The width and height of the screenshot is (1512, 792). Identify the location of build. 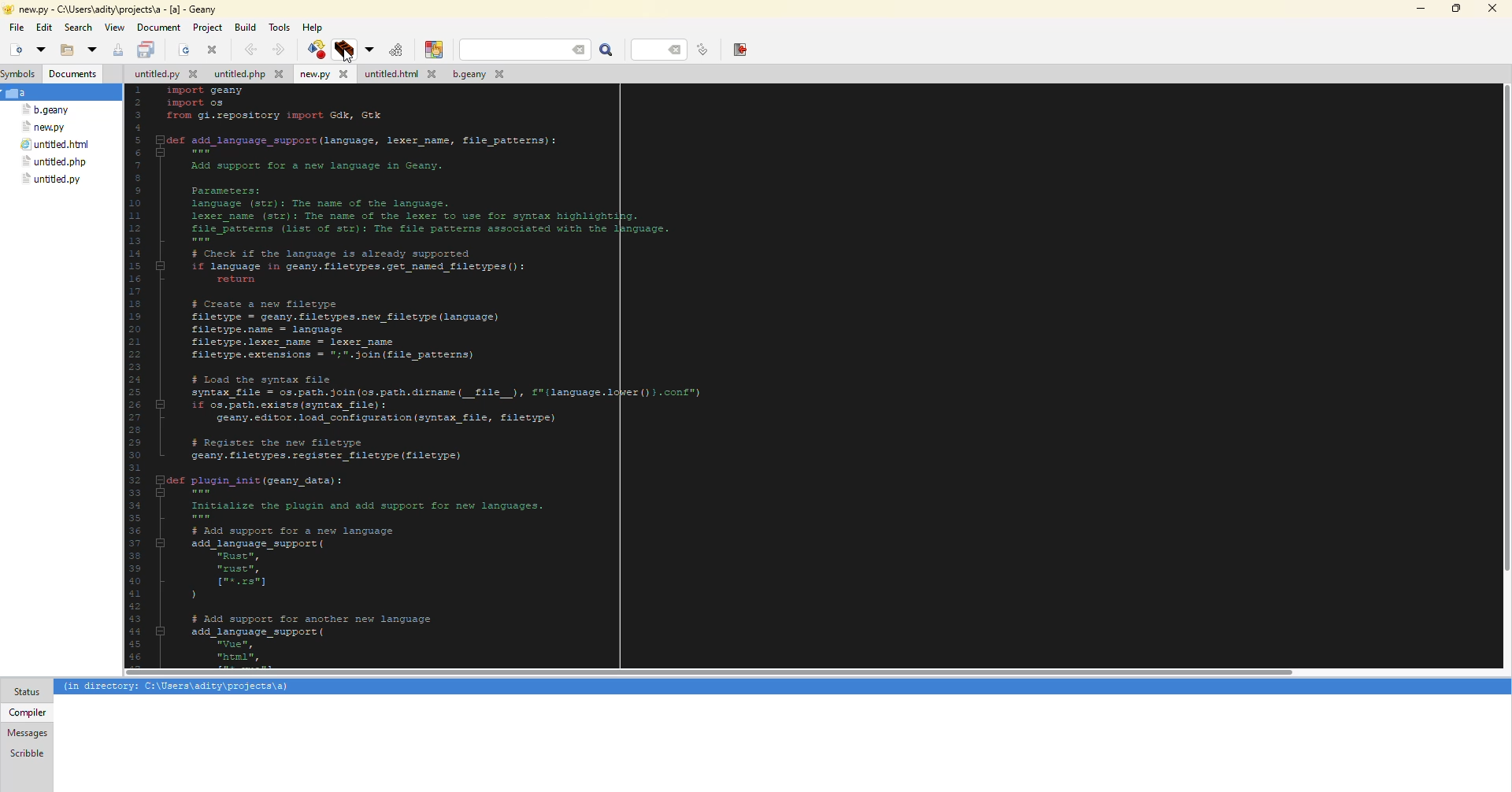
(344, 49).